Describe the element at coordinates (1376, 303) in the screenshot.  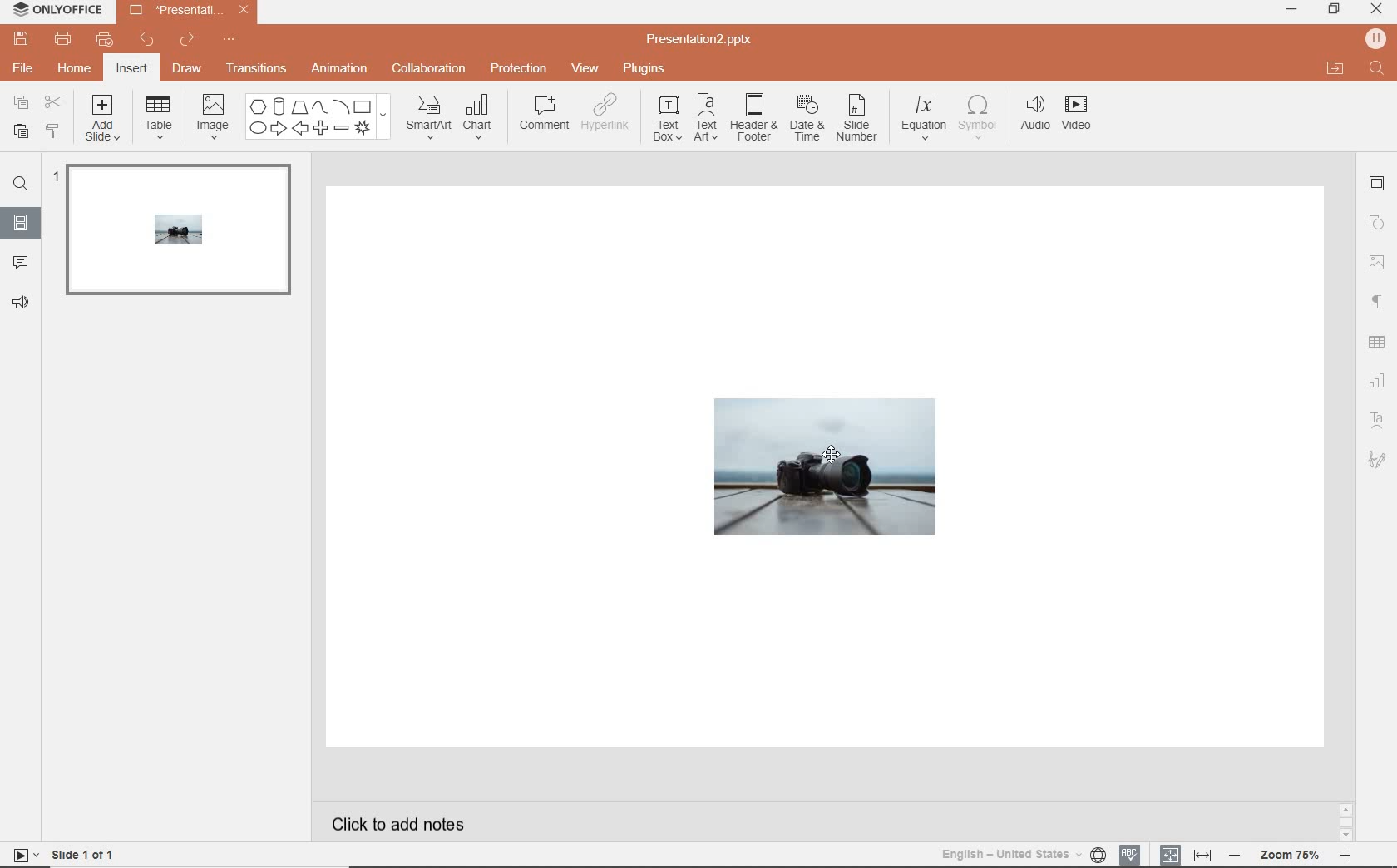
I see `paragraph settings` at that location.